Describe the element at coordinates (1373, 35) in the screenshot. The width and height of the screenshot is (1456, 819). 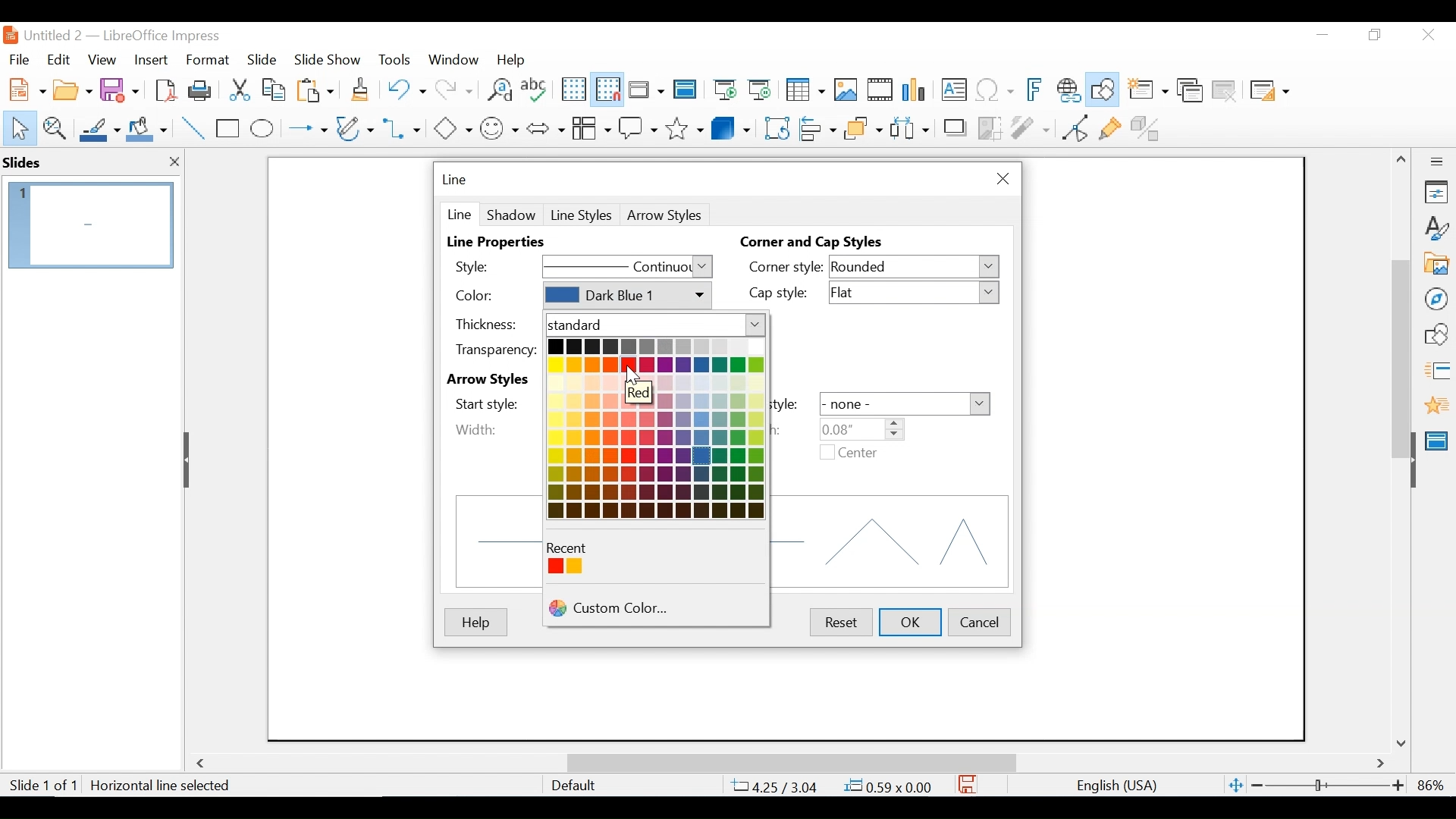
I see `Restore` at that location.